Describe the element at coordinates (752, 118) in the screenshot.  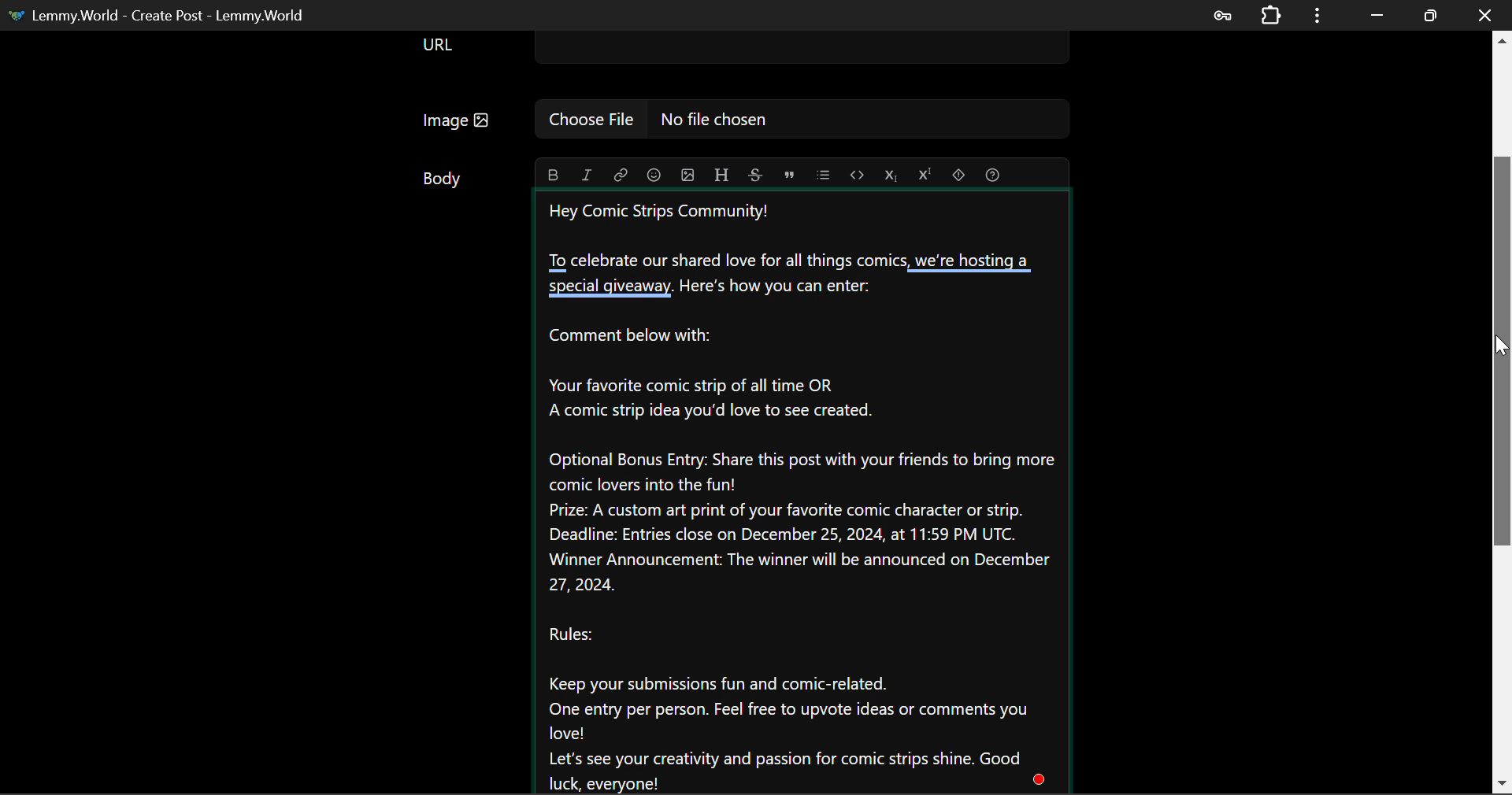
I see `Image: No file chosen` at that location.